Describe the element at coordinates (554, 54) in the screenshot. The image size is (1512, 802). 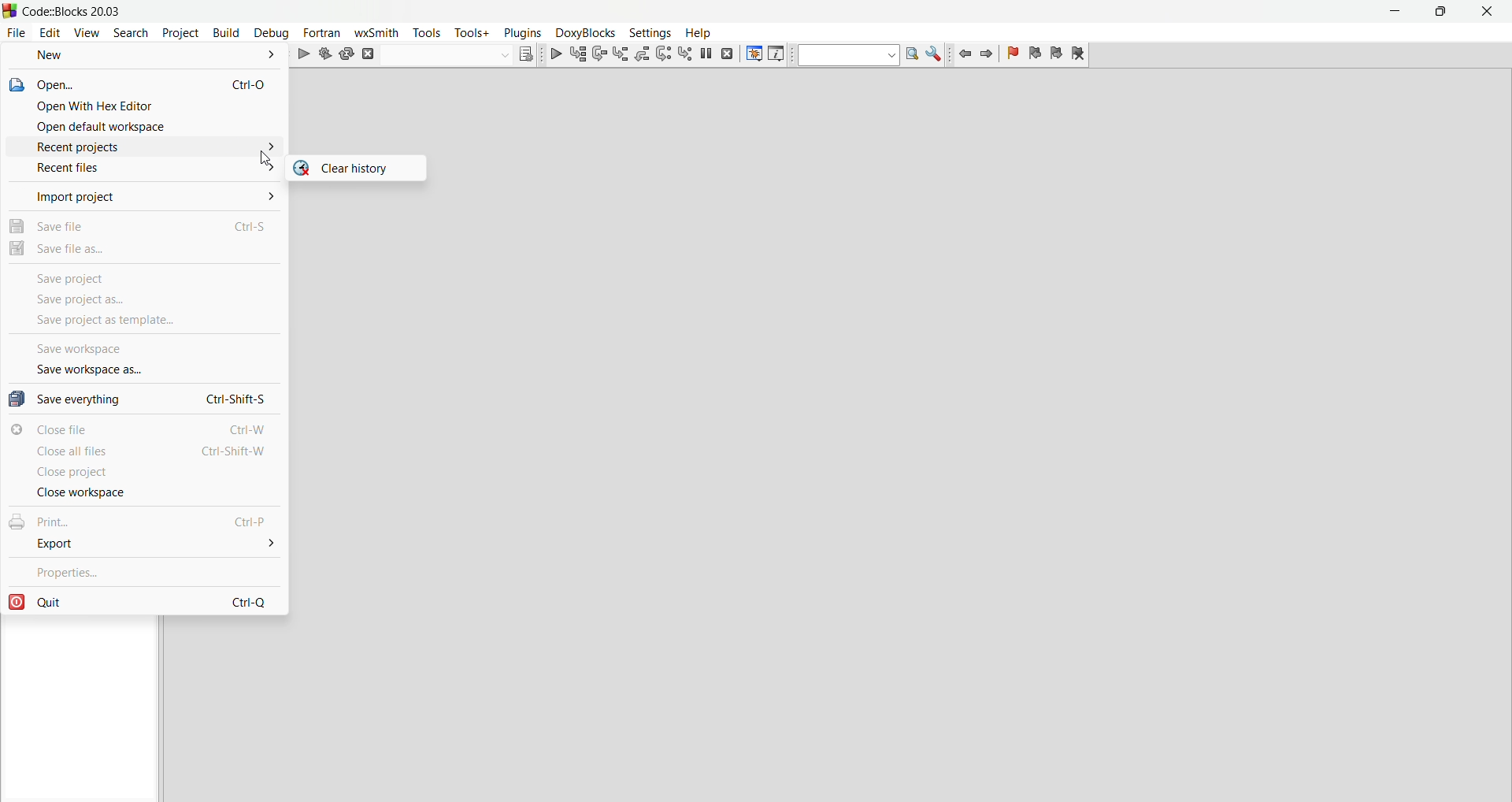
I see `debug ` at that location.